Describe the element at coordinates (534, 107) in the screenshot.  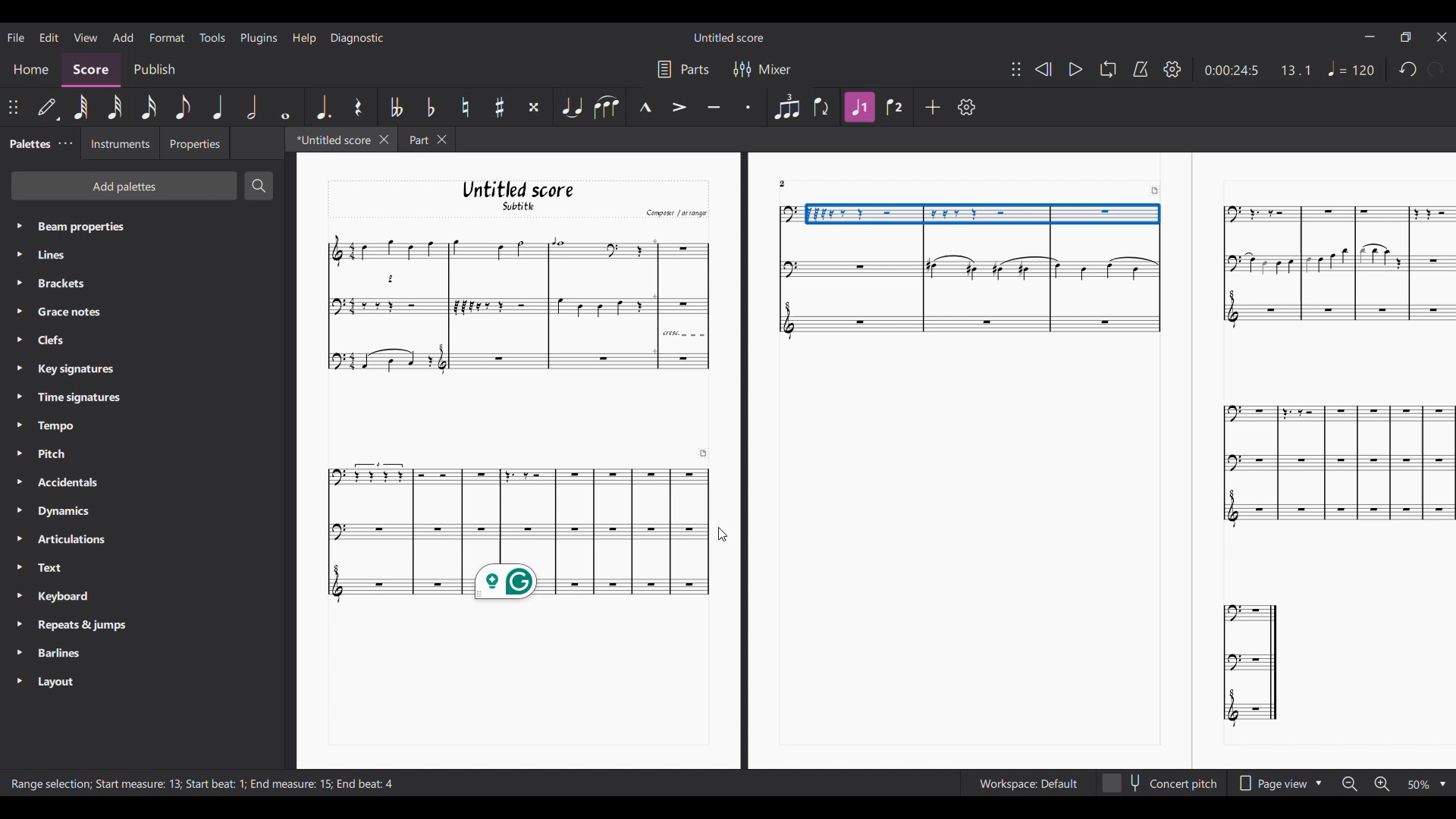
I see `Toggle double sharp` at that location.